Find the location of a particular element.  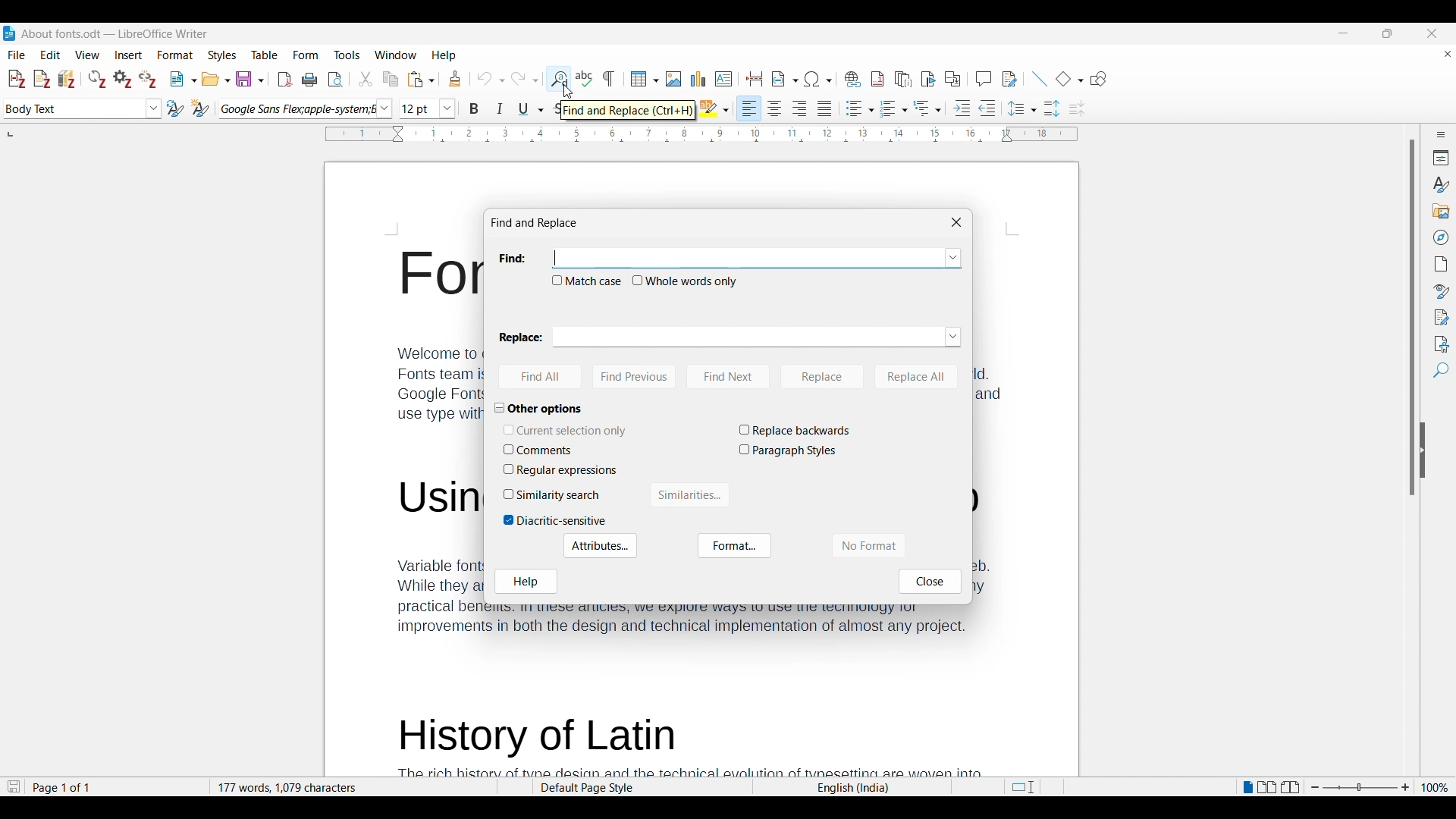

Replace is located at coordinates (824, 377).